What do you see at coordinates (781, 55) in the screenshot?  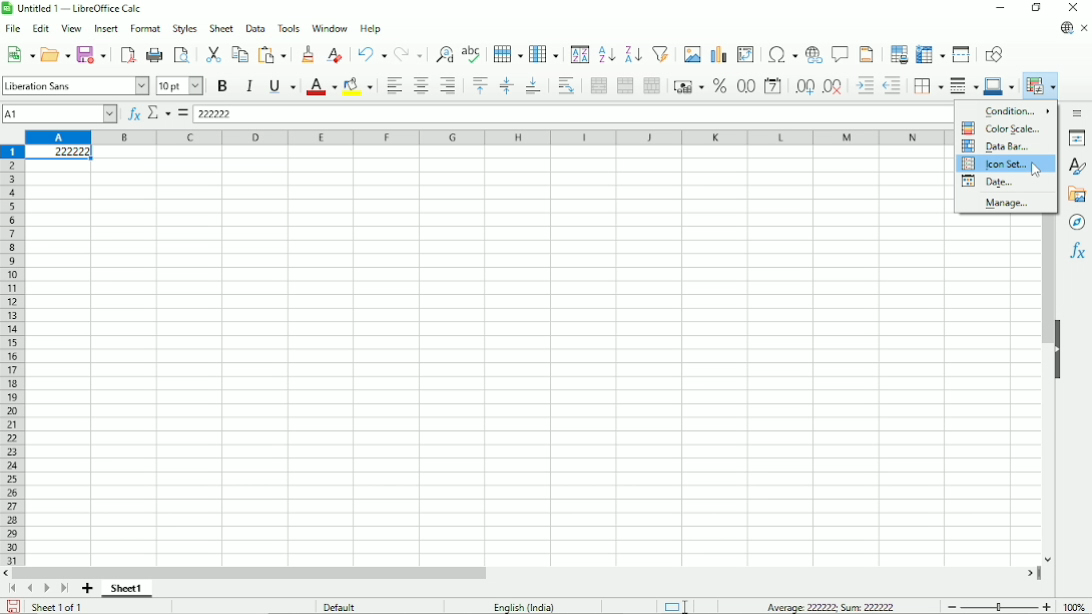 I see `Insert special characters` at bounding box center [781, 55].